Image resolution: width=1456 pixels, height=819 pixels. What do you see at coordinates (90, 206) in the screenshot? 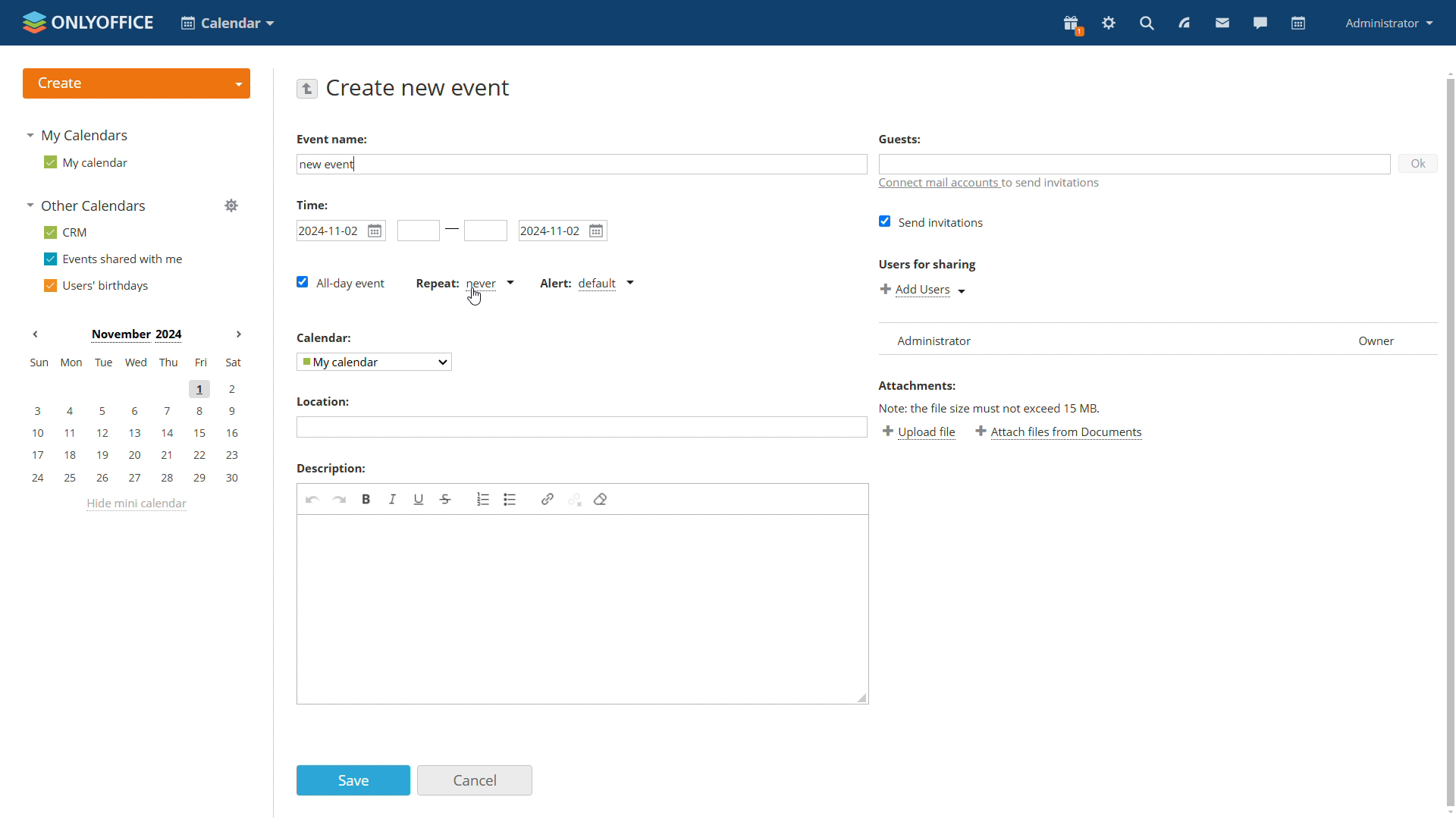
I see `other calendars` at bounding box center [90, 206].